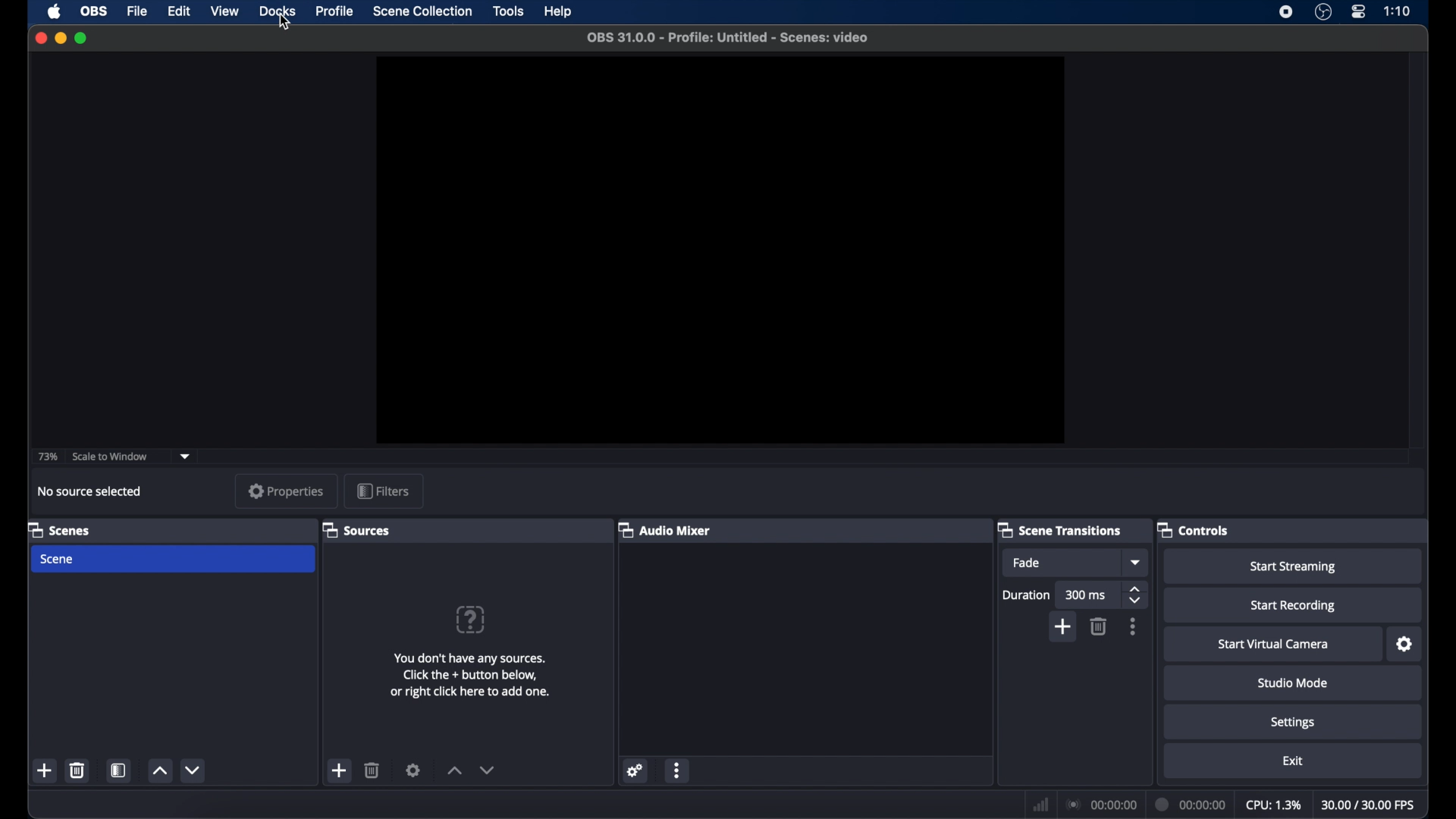 The width and height of the screenshot is (1456, 819). What do you see at coordinates (178, 10) in the screenshot?
I see `edit` at bounding box center [178, 10].